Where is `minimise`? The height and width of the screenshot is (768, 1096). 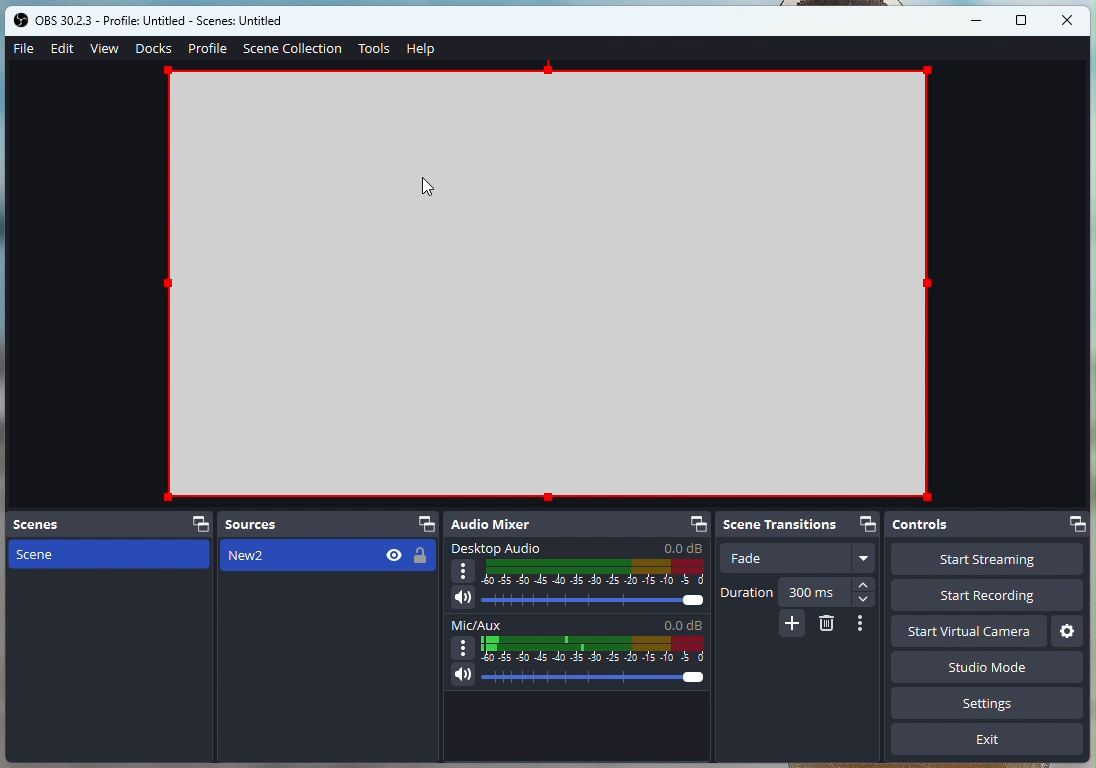
minimise is located at coordinates (980, 20).